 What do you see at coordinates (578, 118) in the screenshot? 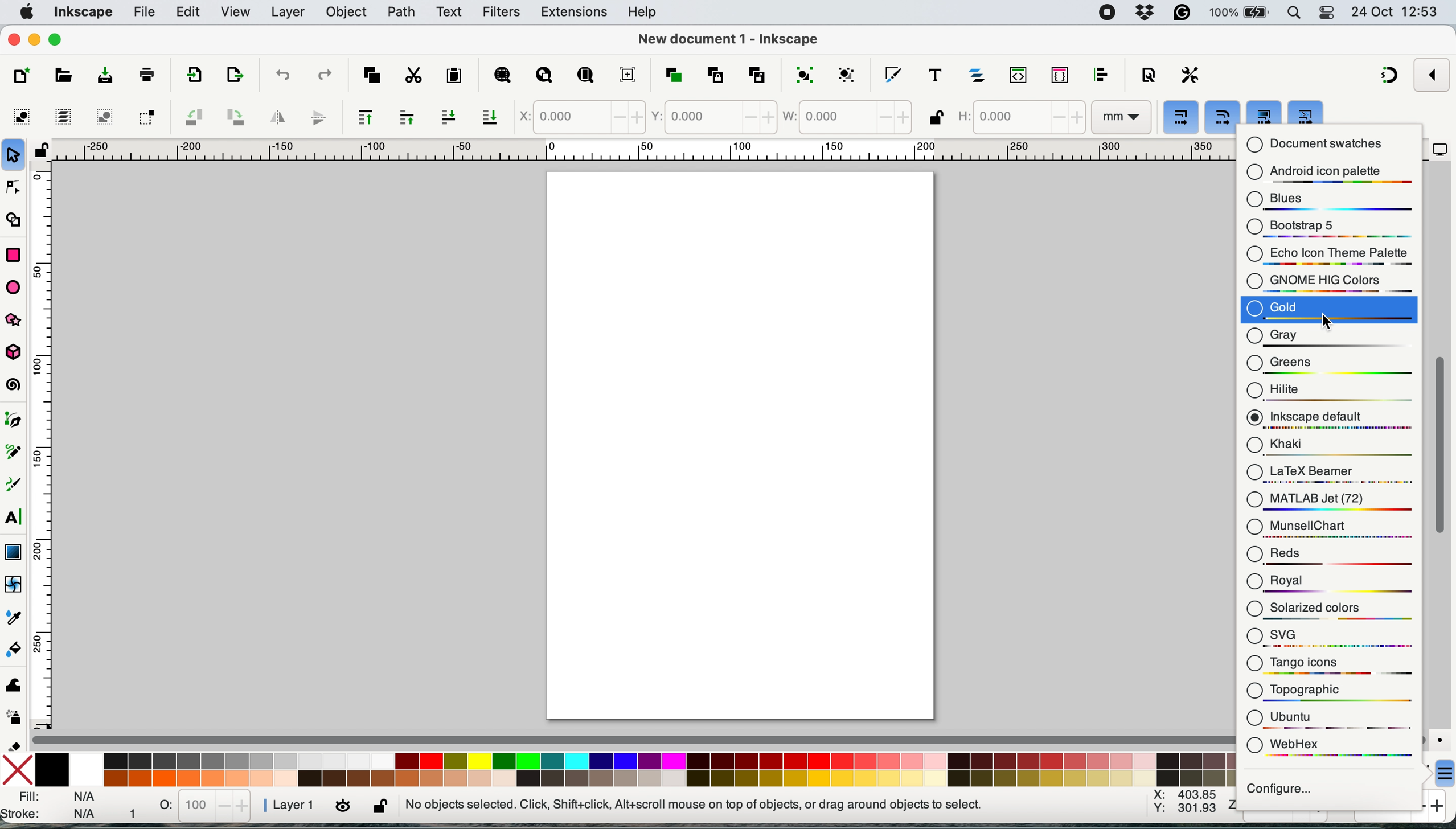
I see `x coordinate` at bounding box center [578, 118].